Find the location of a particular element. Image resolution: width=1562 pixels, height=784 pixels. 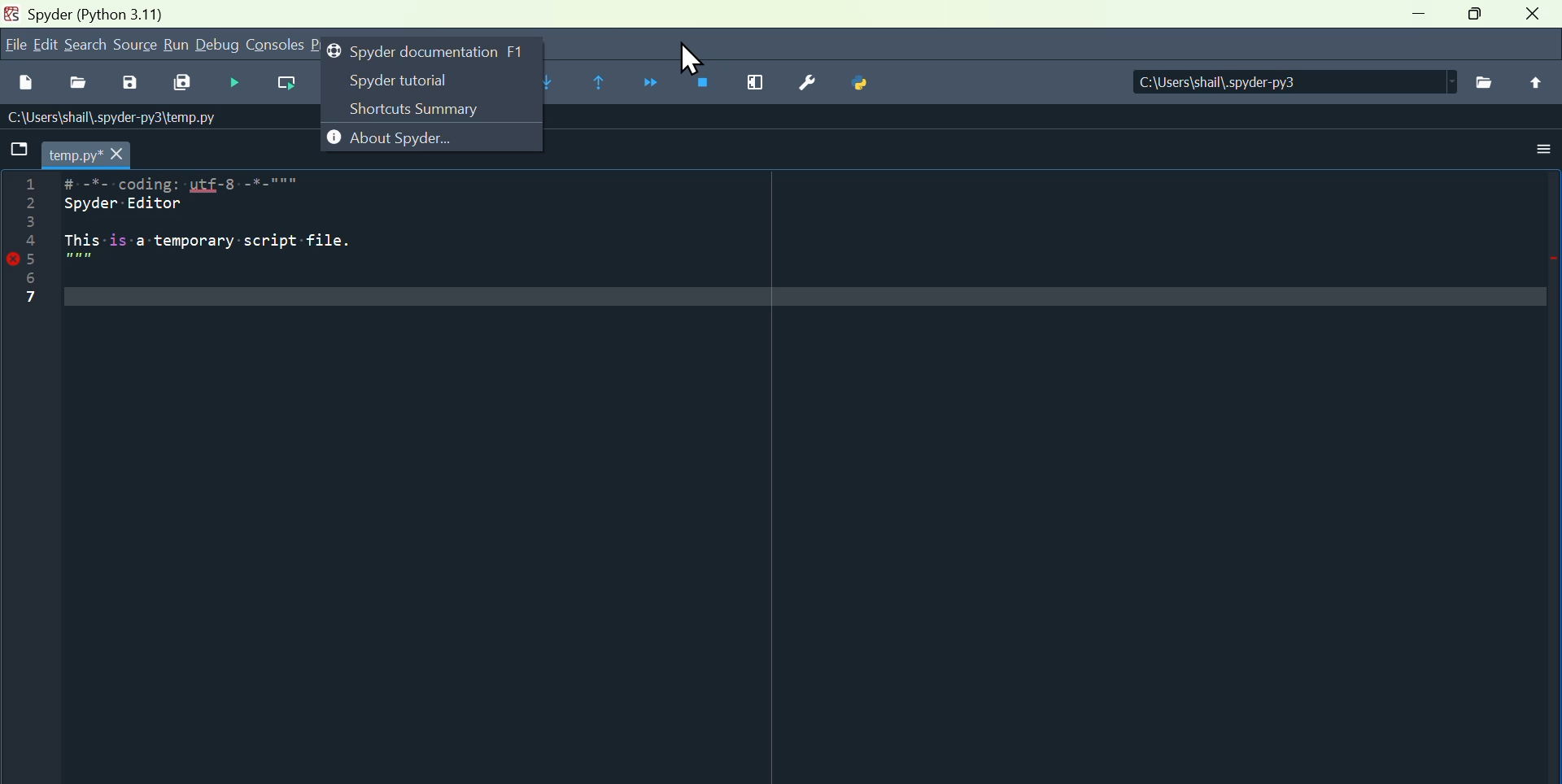

Spider tutorial is located at coordinates (428, 81).